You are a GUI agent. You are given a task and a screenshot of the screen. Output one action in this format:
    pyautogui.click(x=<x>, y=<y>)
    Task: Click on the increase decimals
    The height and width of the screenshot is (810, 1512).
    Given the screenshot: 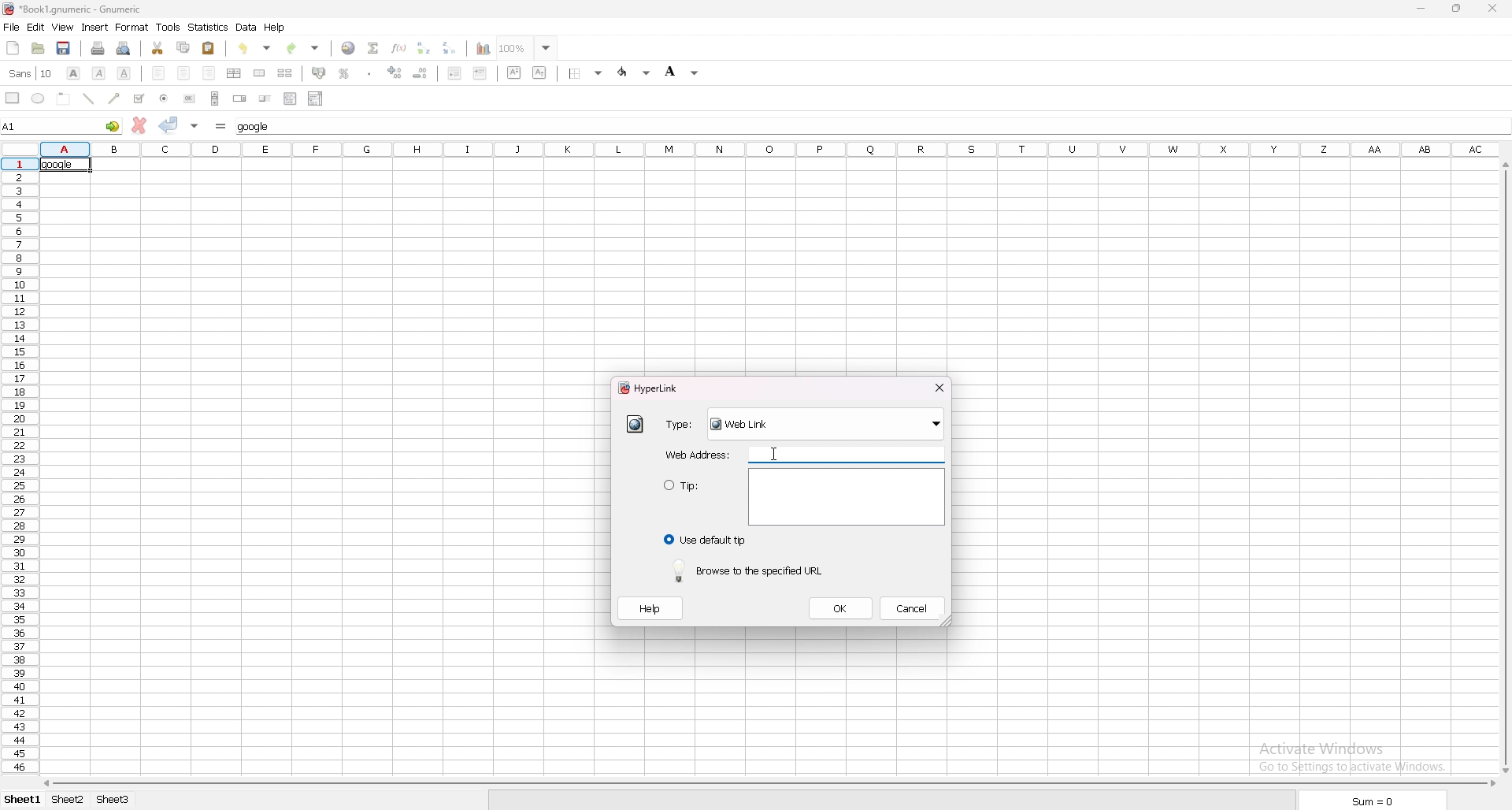 What is the action you would take?
    pyautogui.click(x=395, y=72)
    